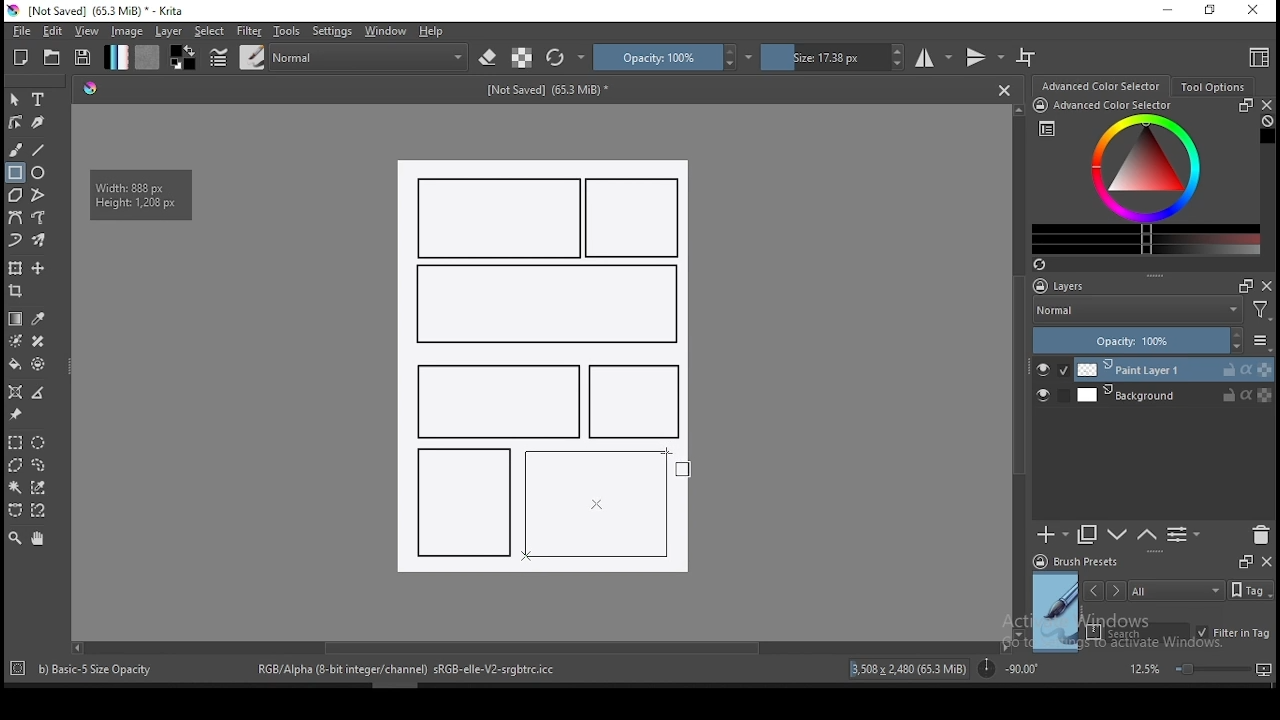 The height and width of the screenshot is (720, 1280). Describe the element at coordinates (687, 467) in the screenshot. I see `mouse pointer` at that location.